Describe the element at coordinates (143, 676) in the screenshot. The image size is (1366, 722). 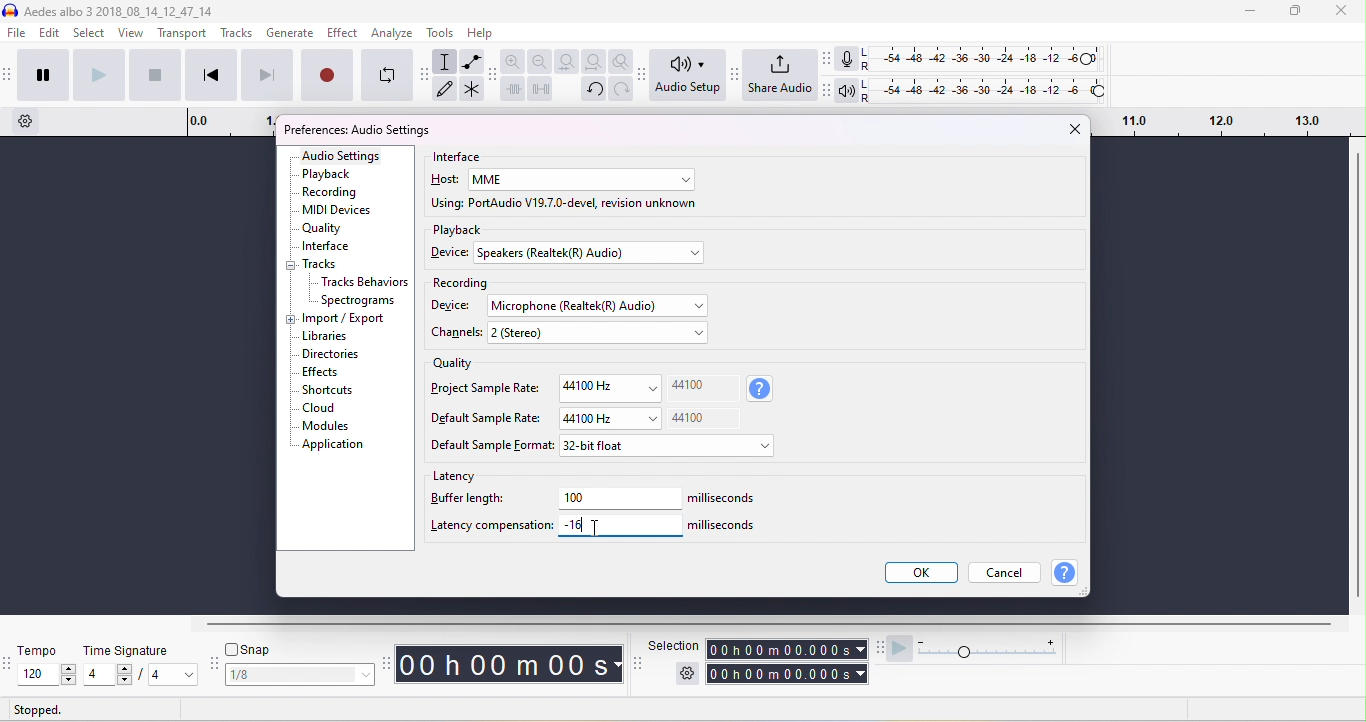
I see `select time signatur` at that location.